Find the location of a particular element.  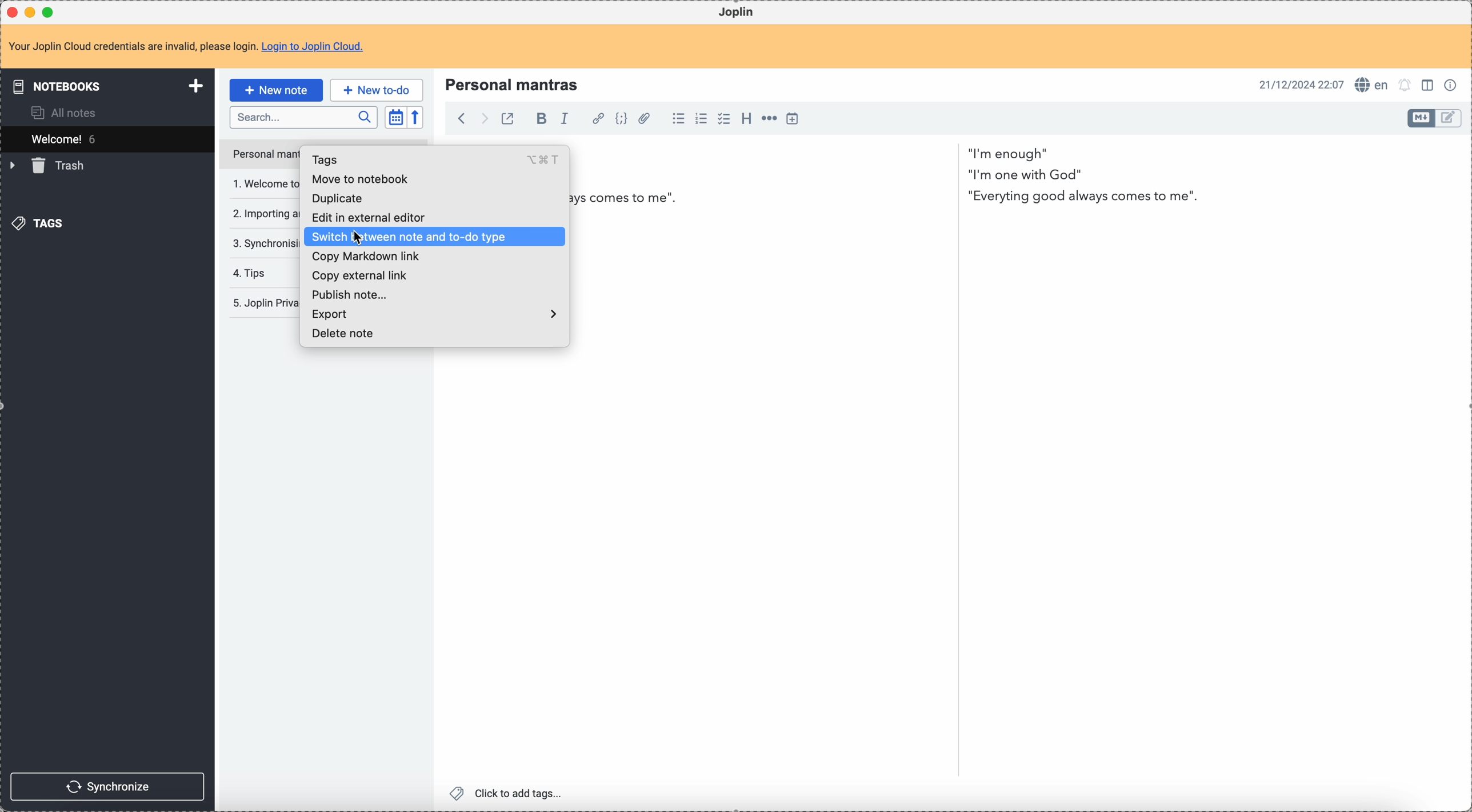

note properties is located at coordinates (1453, 86).